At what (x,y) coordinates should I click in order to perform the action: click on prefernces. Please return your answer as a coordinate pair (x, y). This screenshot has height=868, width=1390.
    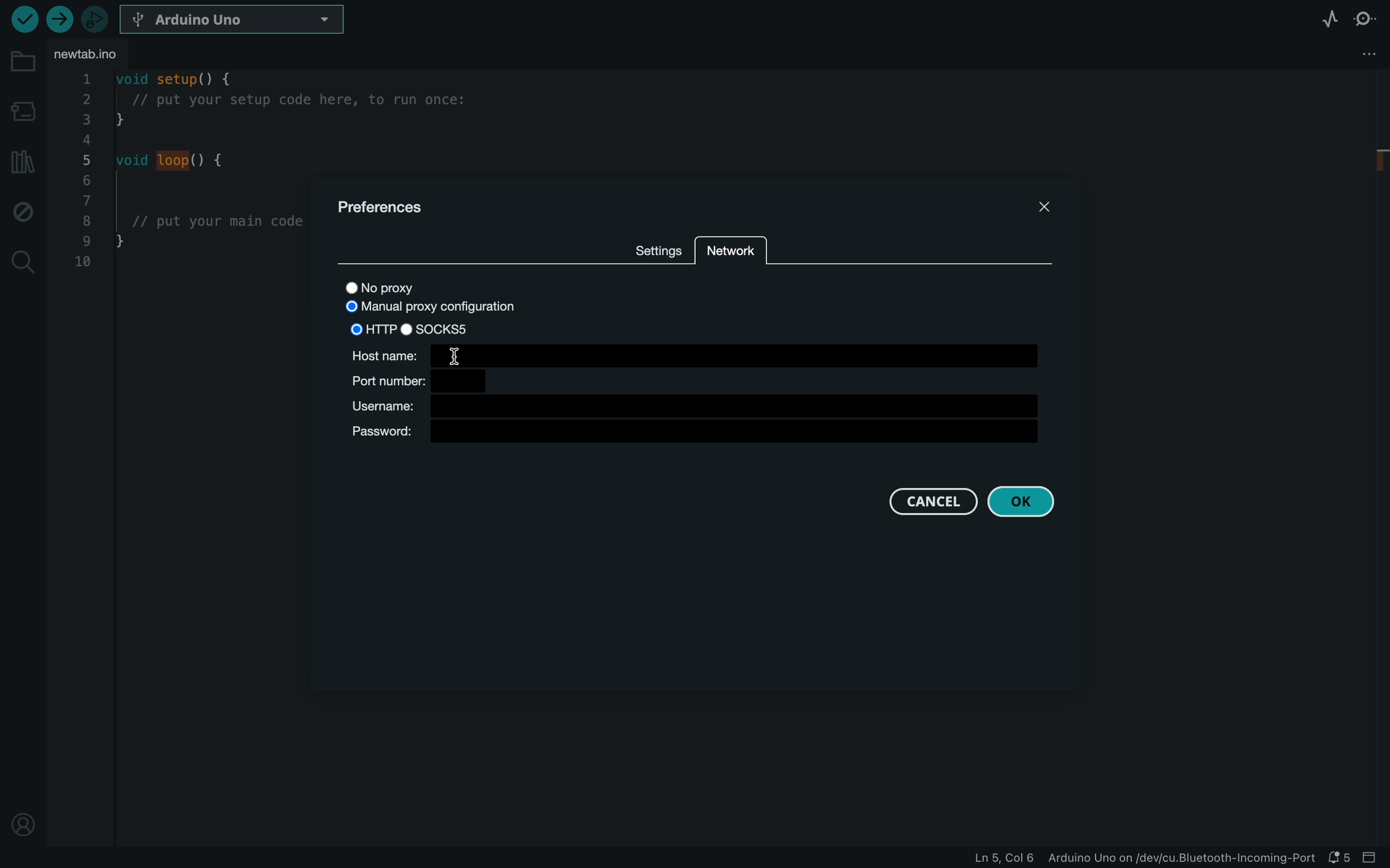
    Looking at the image, I should click on (387, 209).